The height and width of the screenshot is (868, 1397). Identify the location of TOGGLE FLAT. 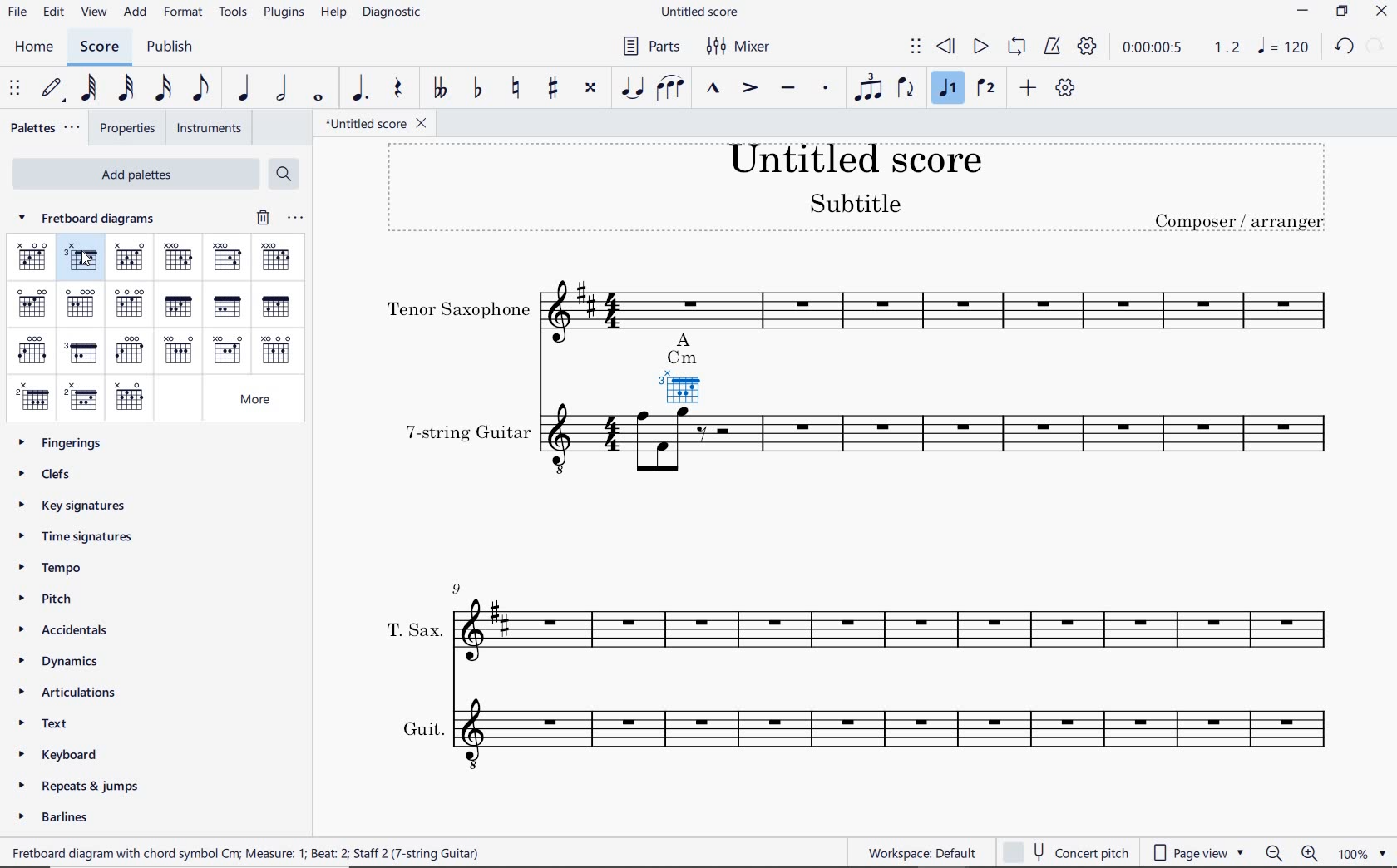
(476, 89).